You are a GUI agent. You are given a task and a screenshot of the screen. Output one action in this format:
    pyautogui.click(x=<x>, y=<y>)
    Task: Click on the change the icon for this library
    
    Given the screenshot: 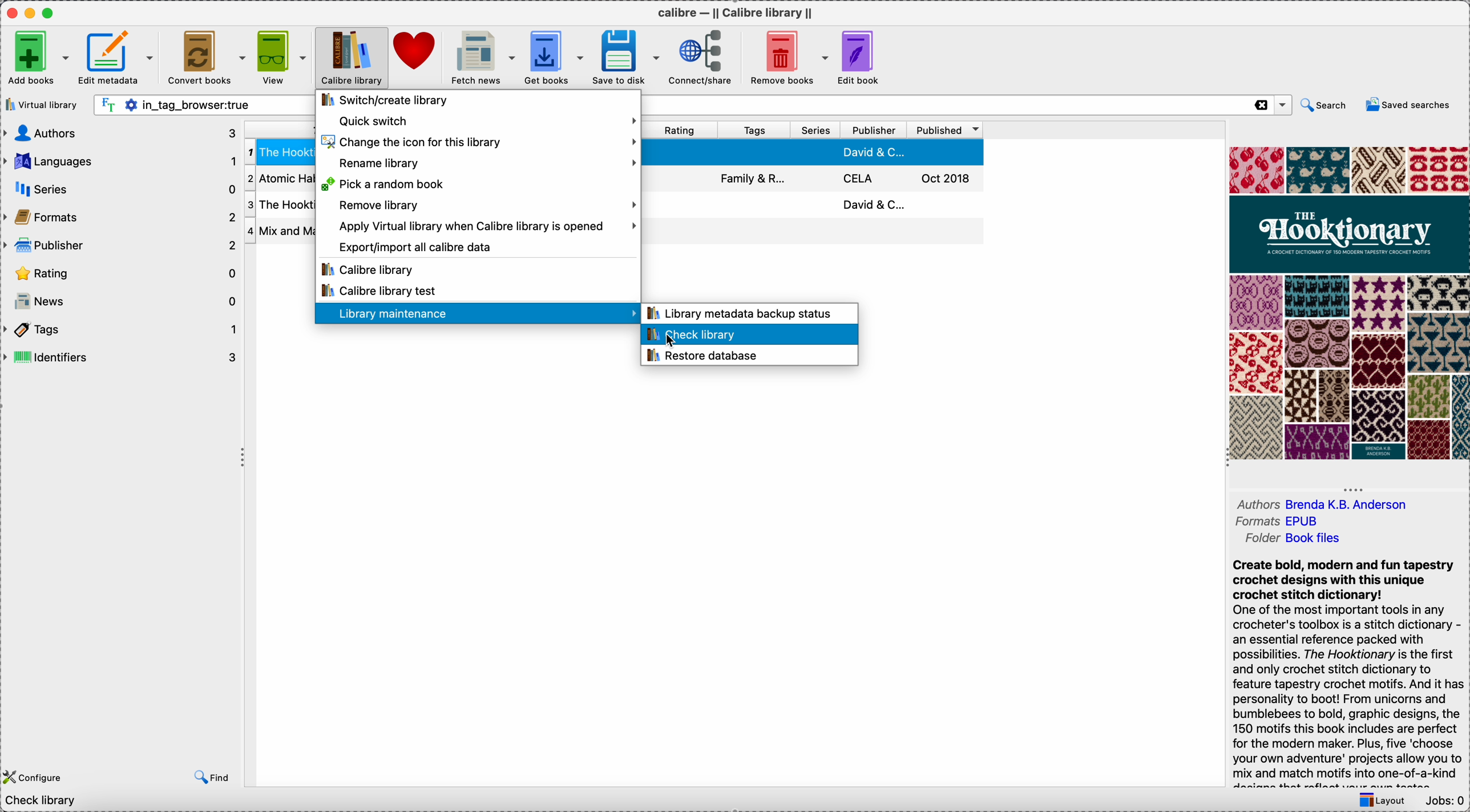 What is the action you would take?
    pyautogui.click(x=480, y=143)
    